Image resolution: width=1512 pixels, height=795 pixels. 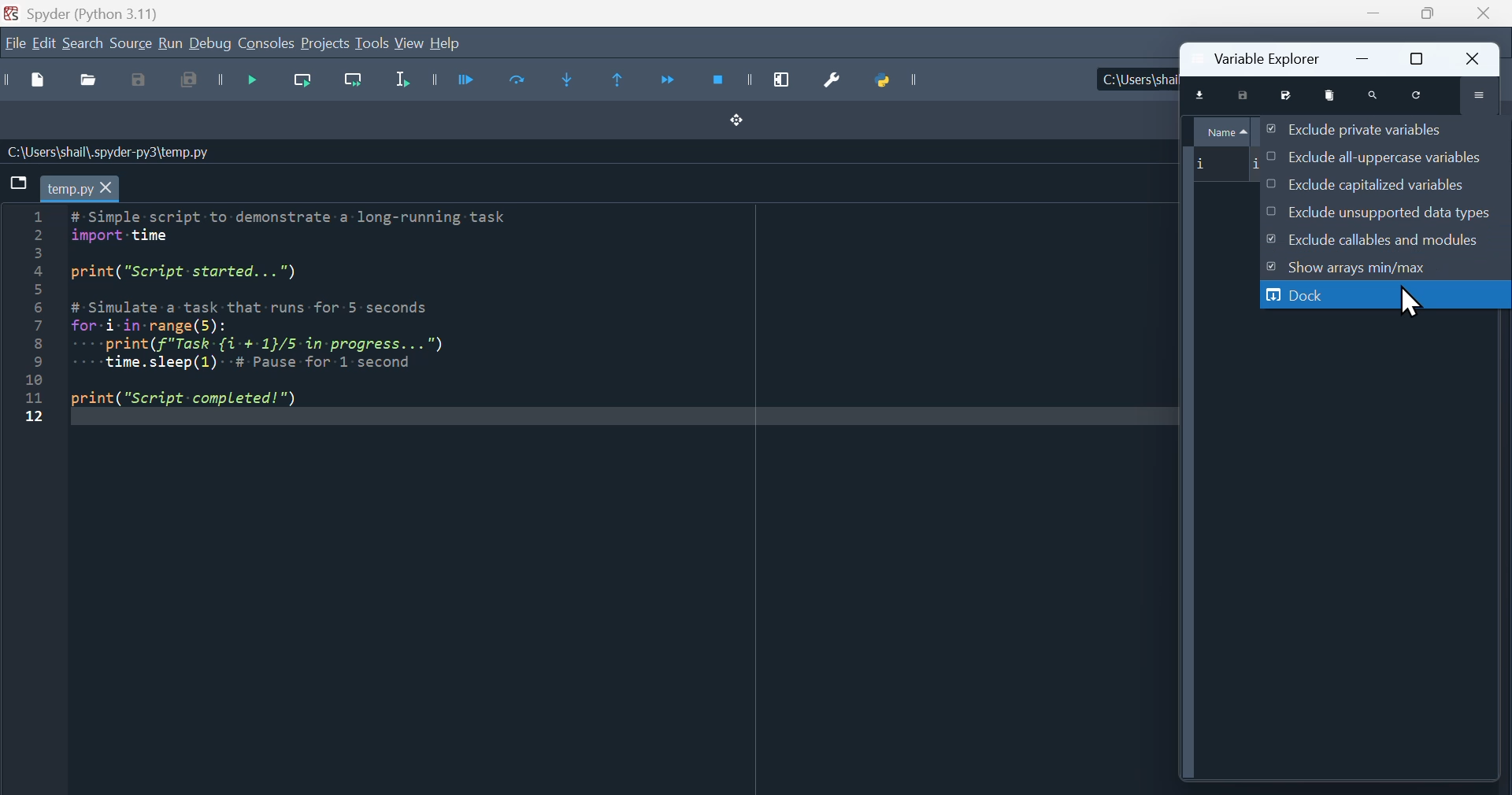 What do you see at coordinates (1375, 94) in the screenshot?
I see `search variable names and types` at bounding box center [1375, 94].